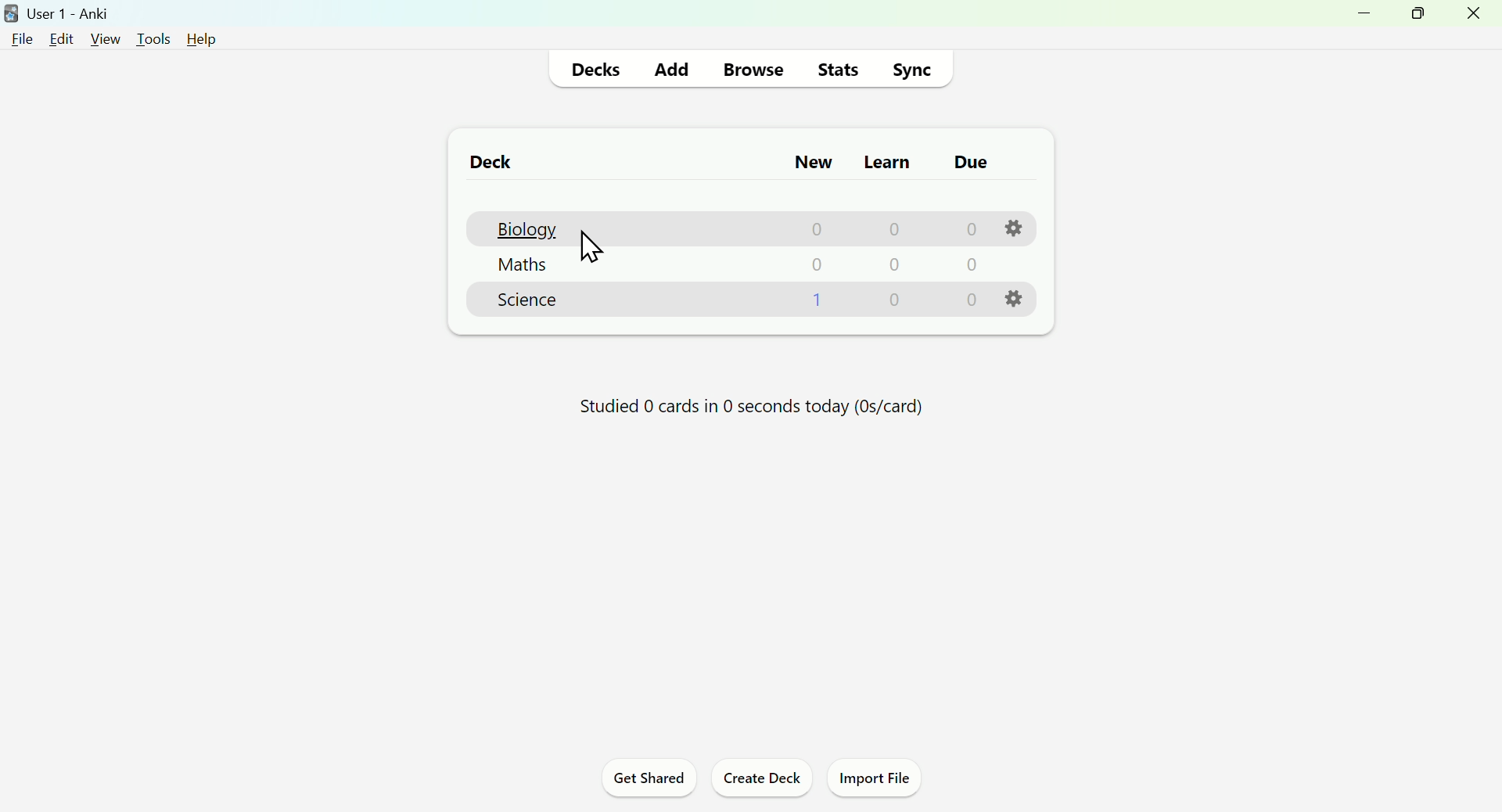 Image resolution: width=1502 pixels, height=812 pixels. What do you see at coordinates (815, 302) in the screenshot?
I see `1` at bounding box center [815, 302].